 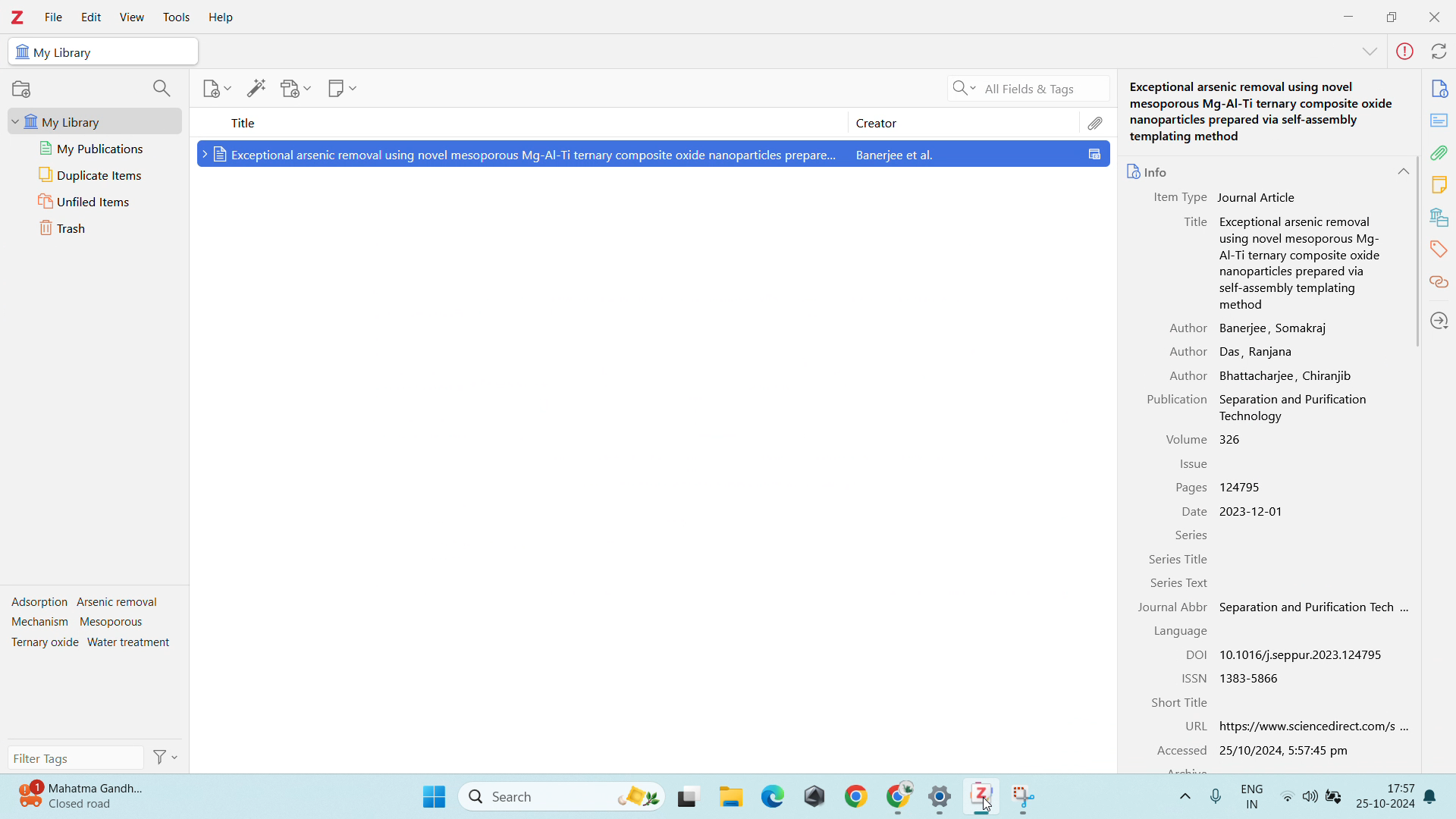 I want to click on Volume : 326, so click(x=1205, y=438).